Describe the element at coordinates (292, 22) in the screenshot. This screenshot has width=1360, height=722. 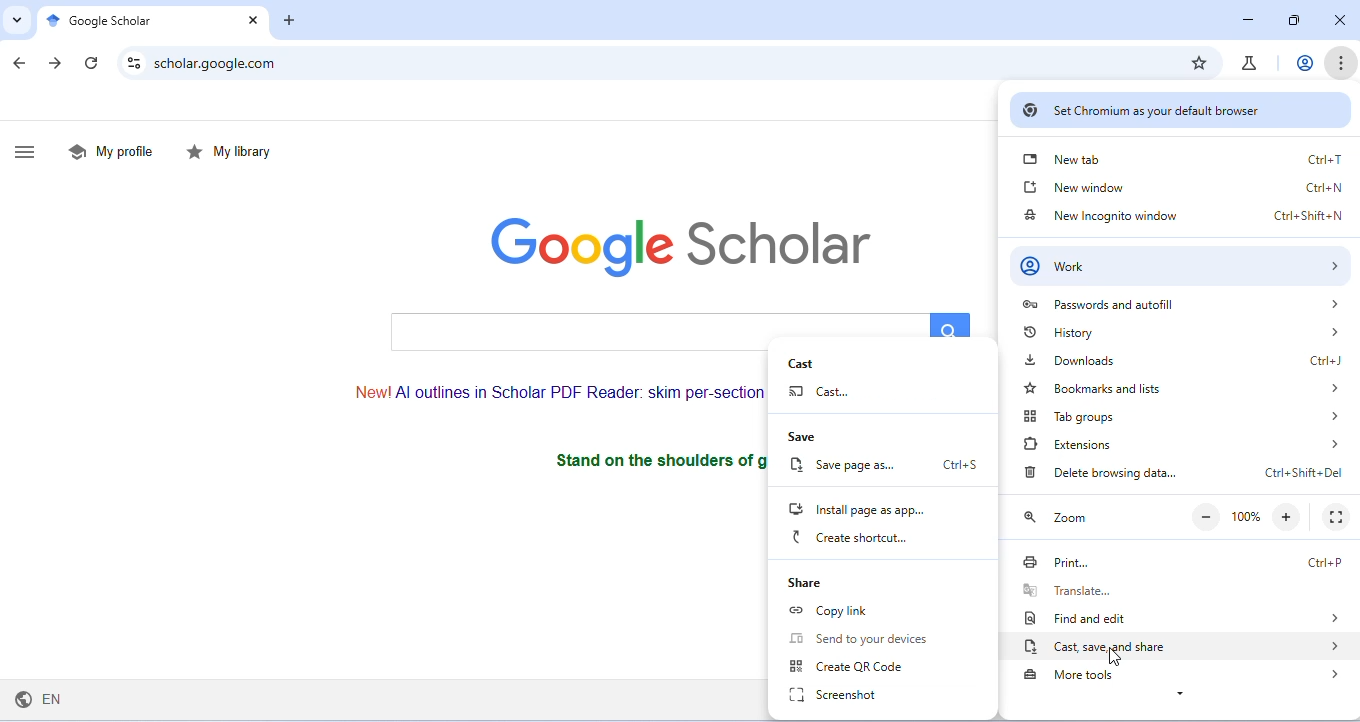
I see `add tab` at that location.